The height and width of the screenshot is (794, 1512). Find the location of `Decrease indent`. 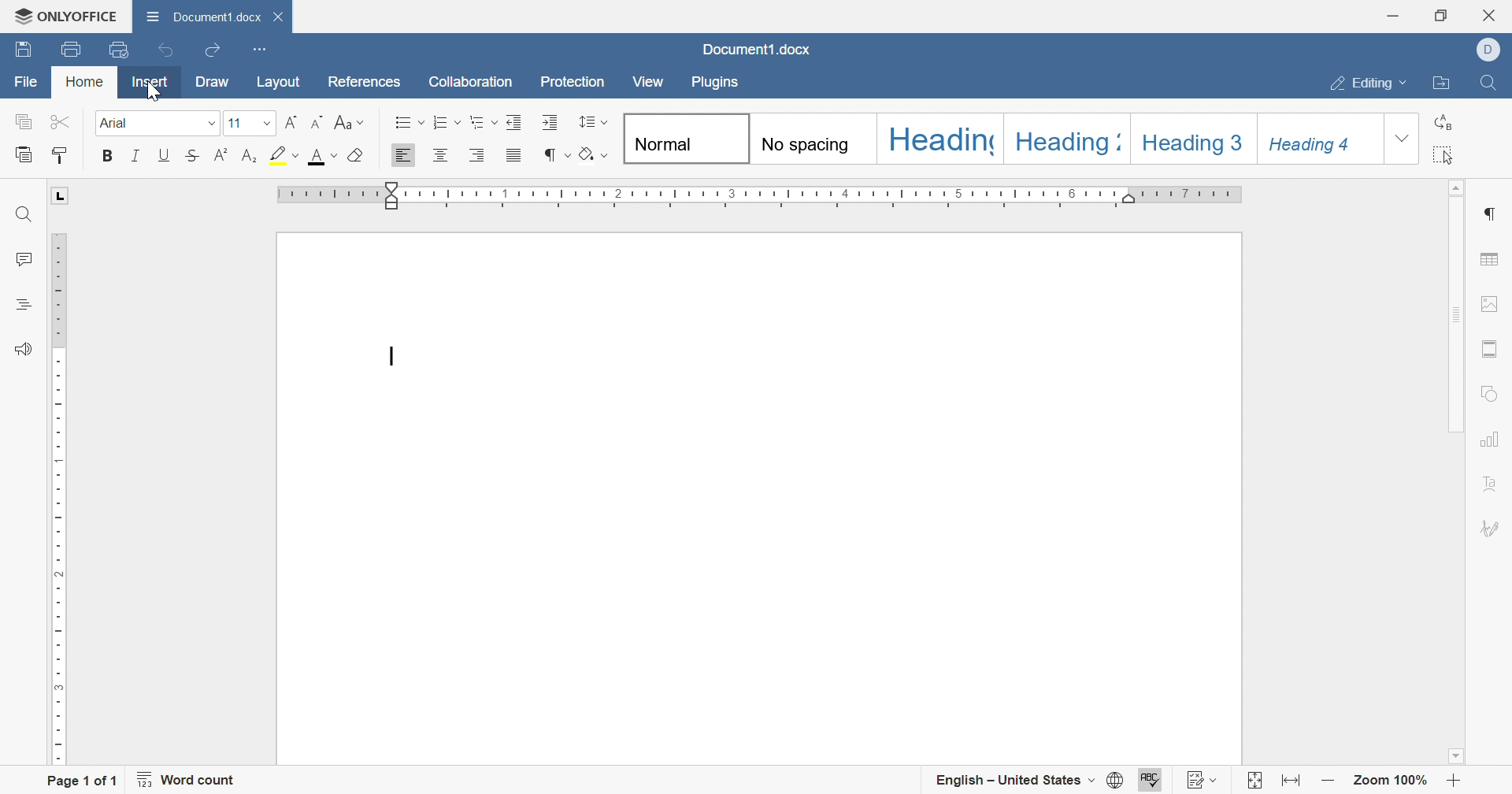

Decrease indent is located at coordinates (517, 123).